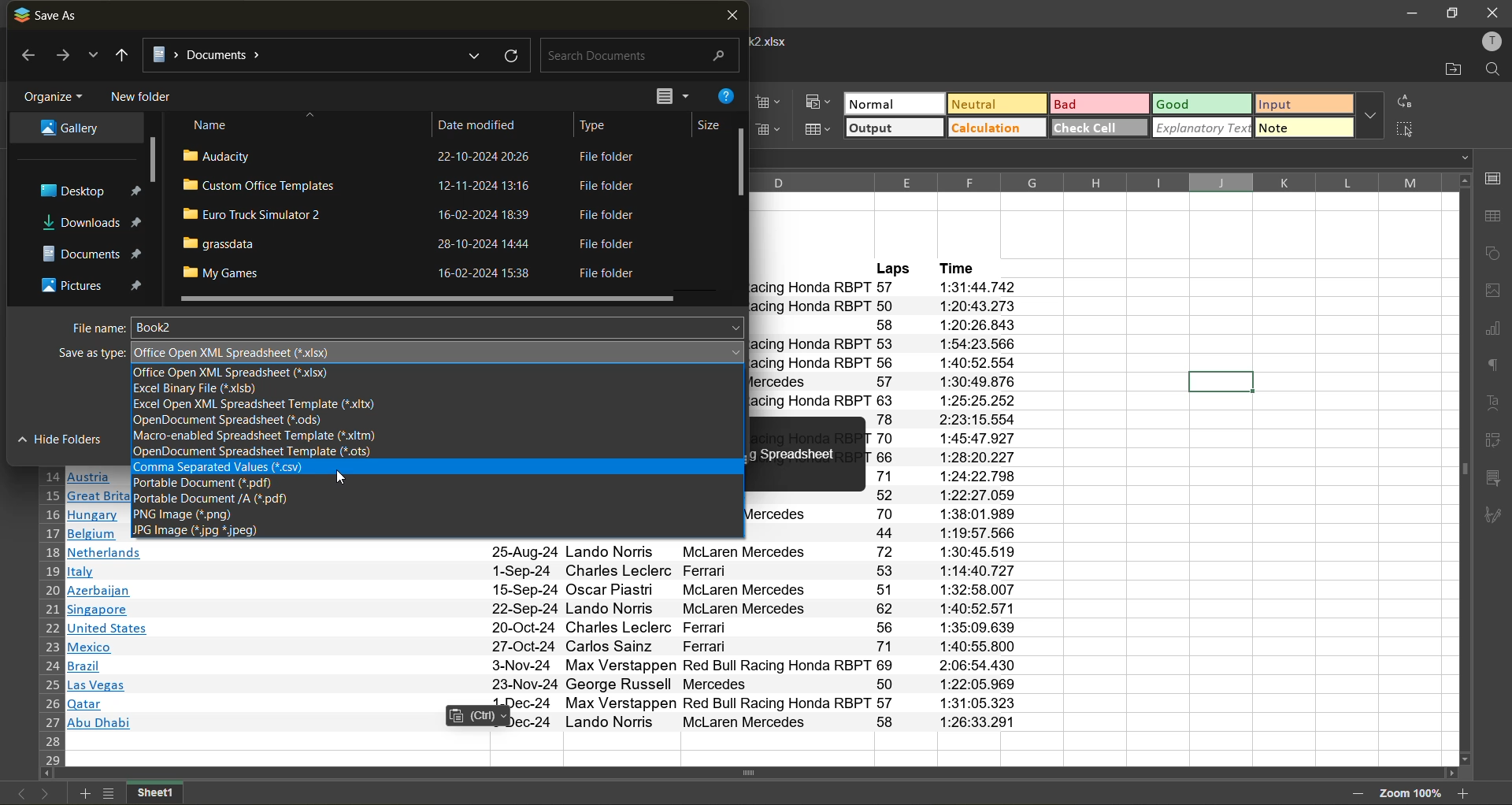 This screenshot has height=805, width=1512. Describe the element at coordinates (50, 617) in the screenshot. I see `row number` at that location.